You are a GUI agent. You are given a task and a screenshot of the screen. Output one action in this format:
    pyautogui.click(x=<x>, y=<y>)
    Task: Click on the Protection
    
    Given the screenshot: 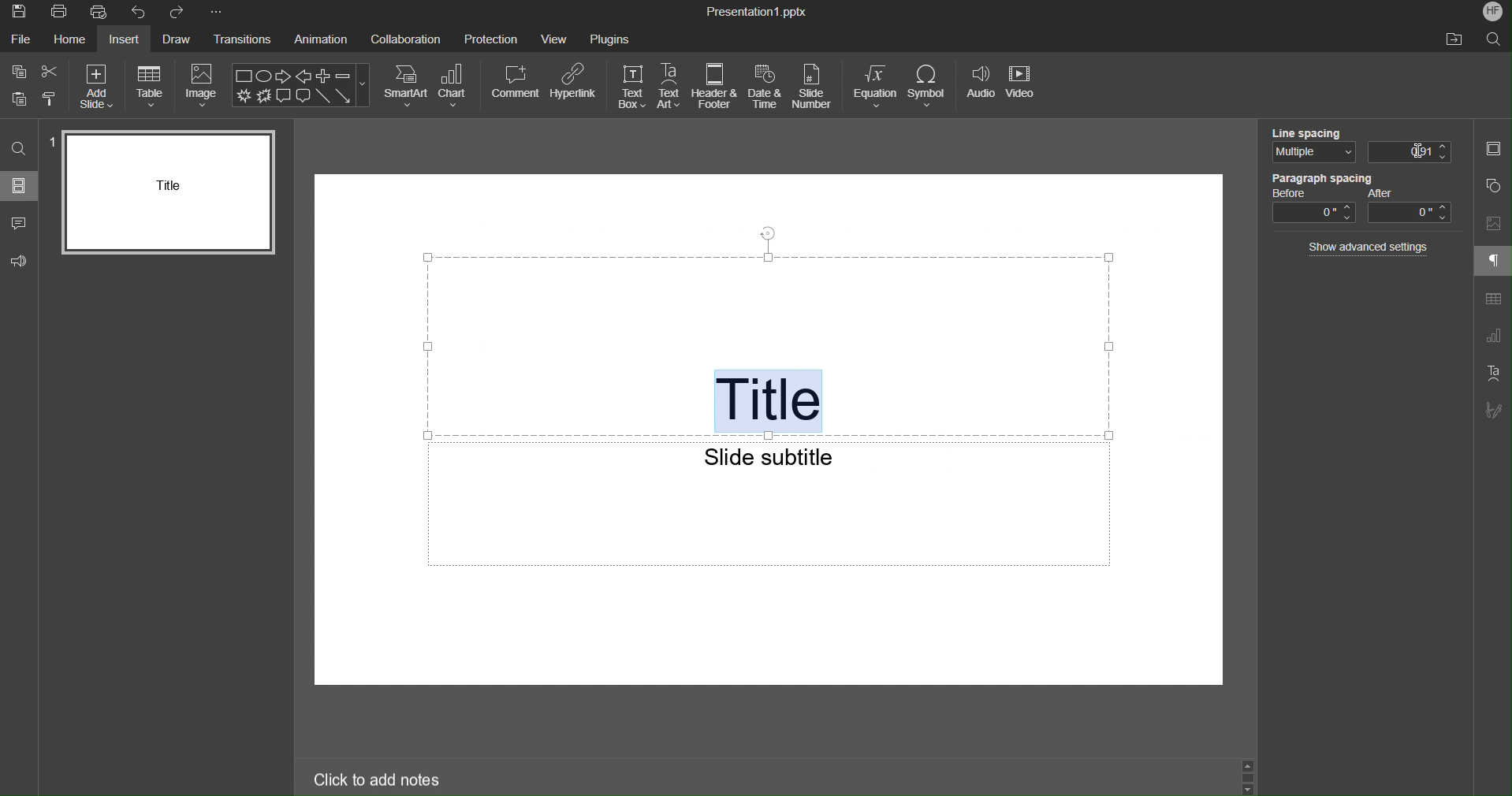 What is the action you would take?
    pyautogui.click(x=491, y=41)
    